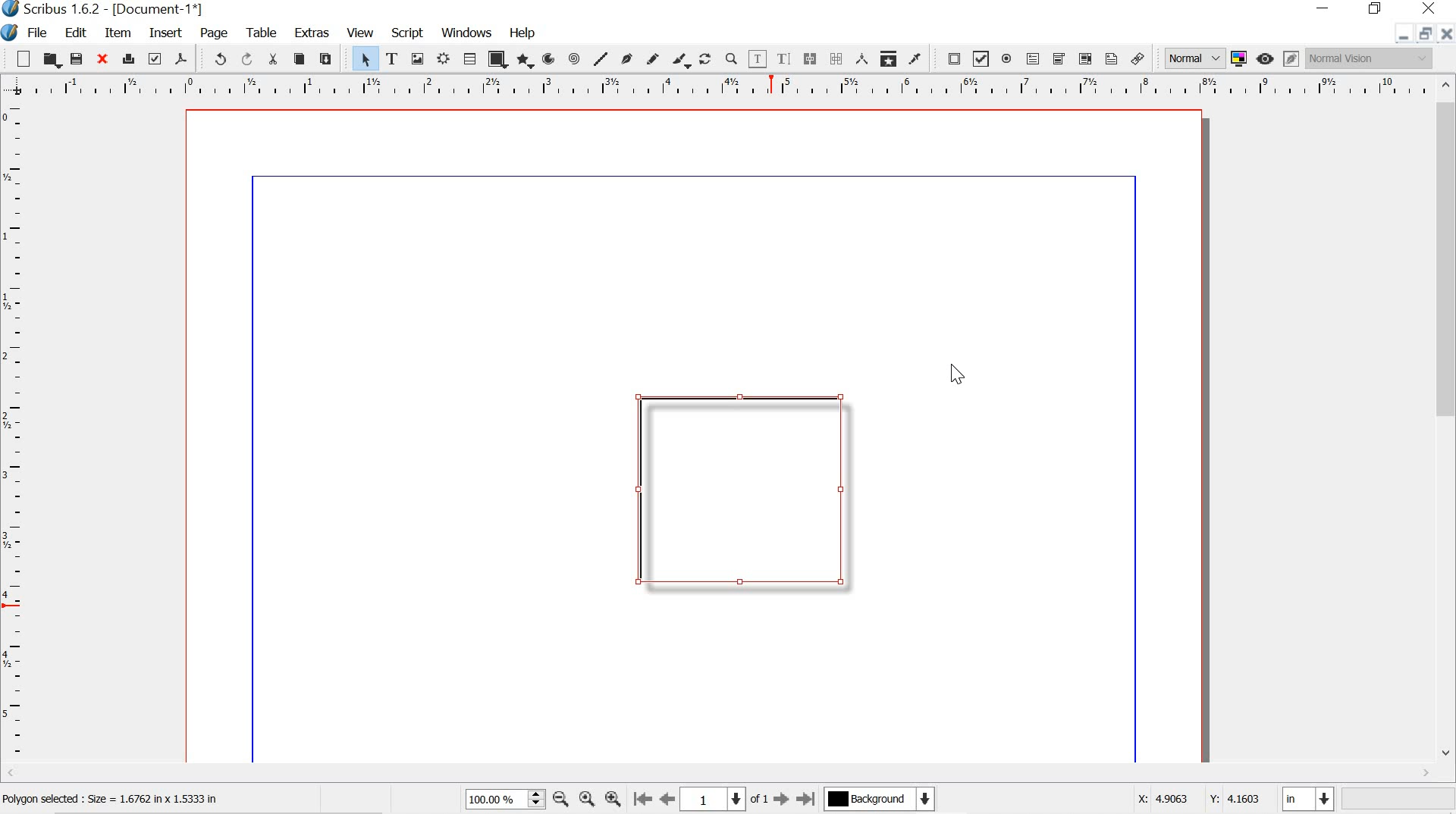  Describe the element at coordinates (720, 86) in the screenshot. I see `ruler` at that location.